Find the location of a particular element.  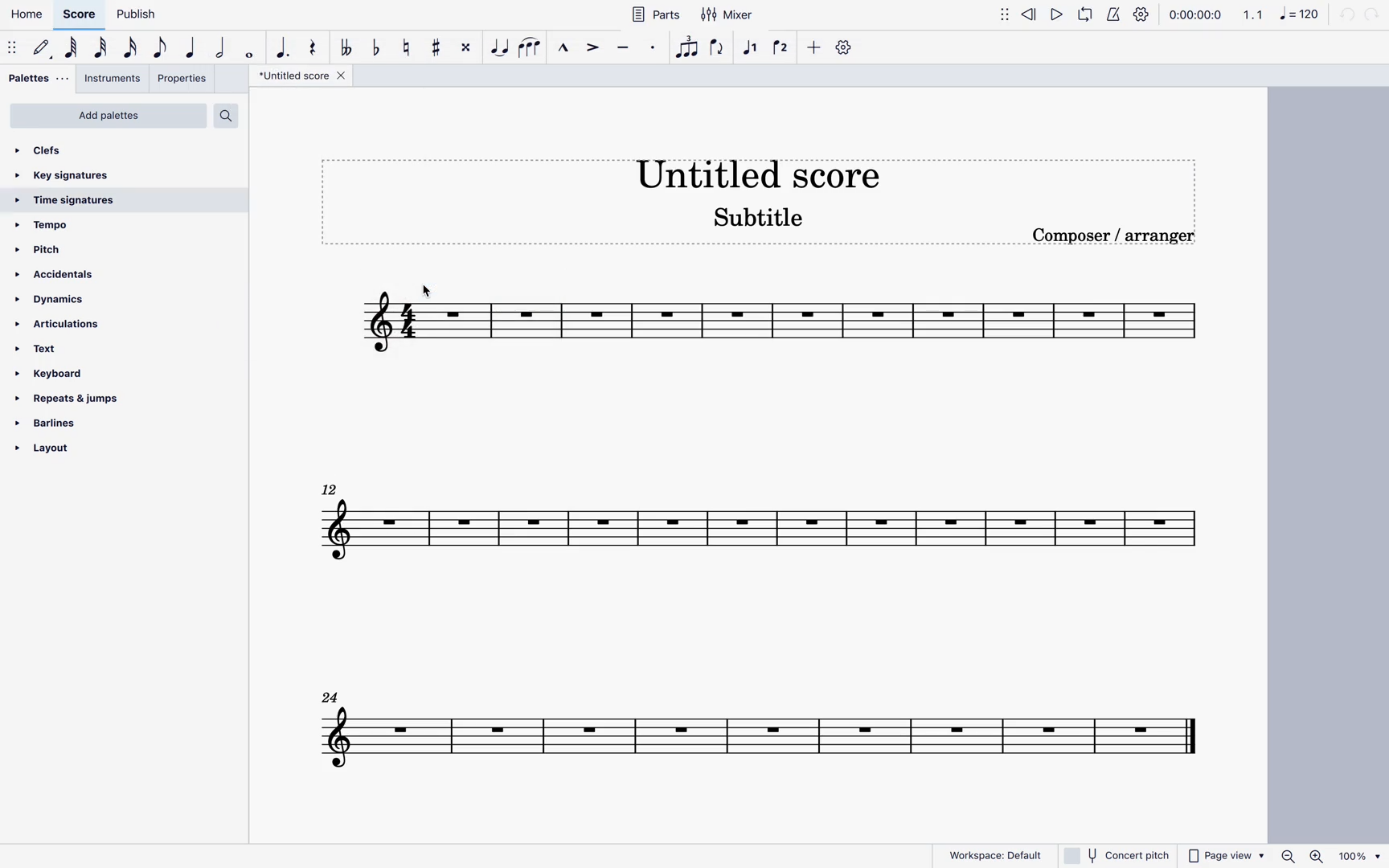

score is located at coordinates (758, 522).